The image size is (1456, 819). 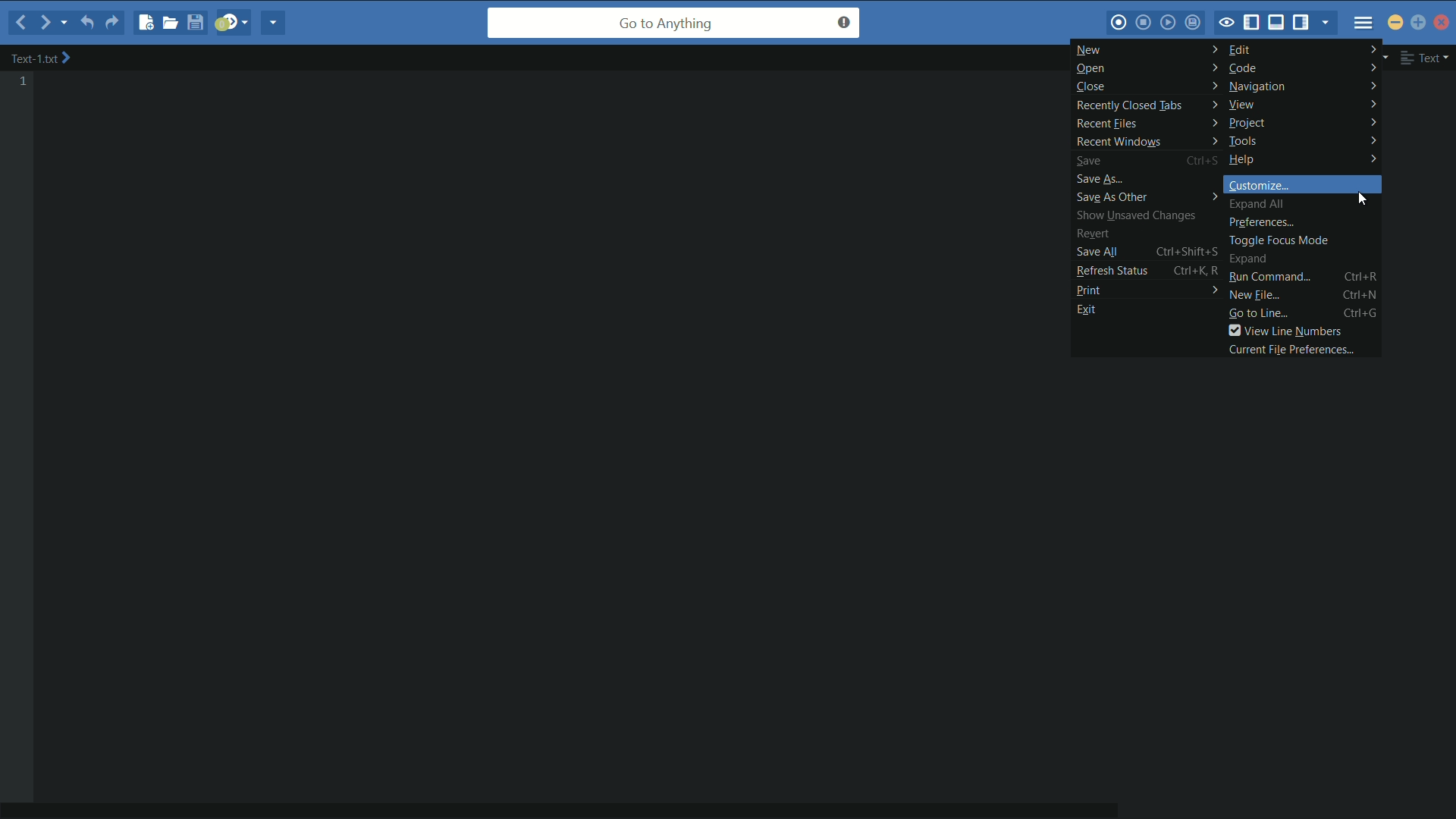 I want to click on Ctrl+K R, so click(x=1194, y=273).